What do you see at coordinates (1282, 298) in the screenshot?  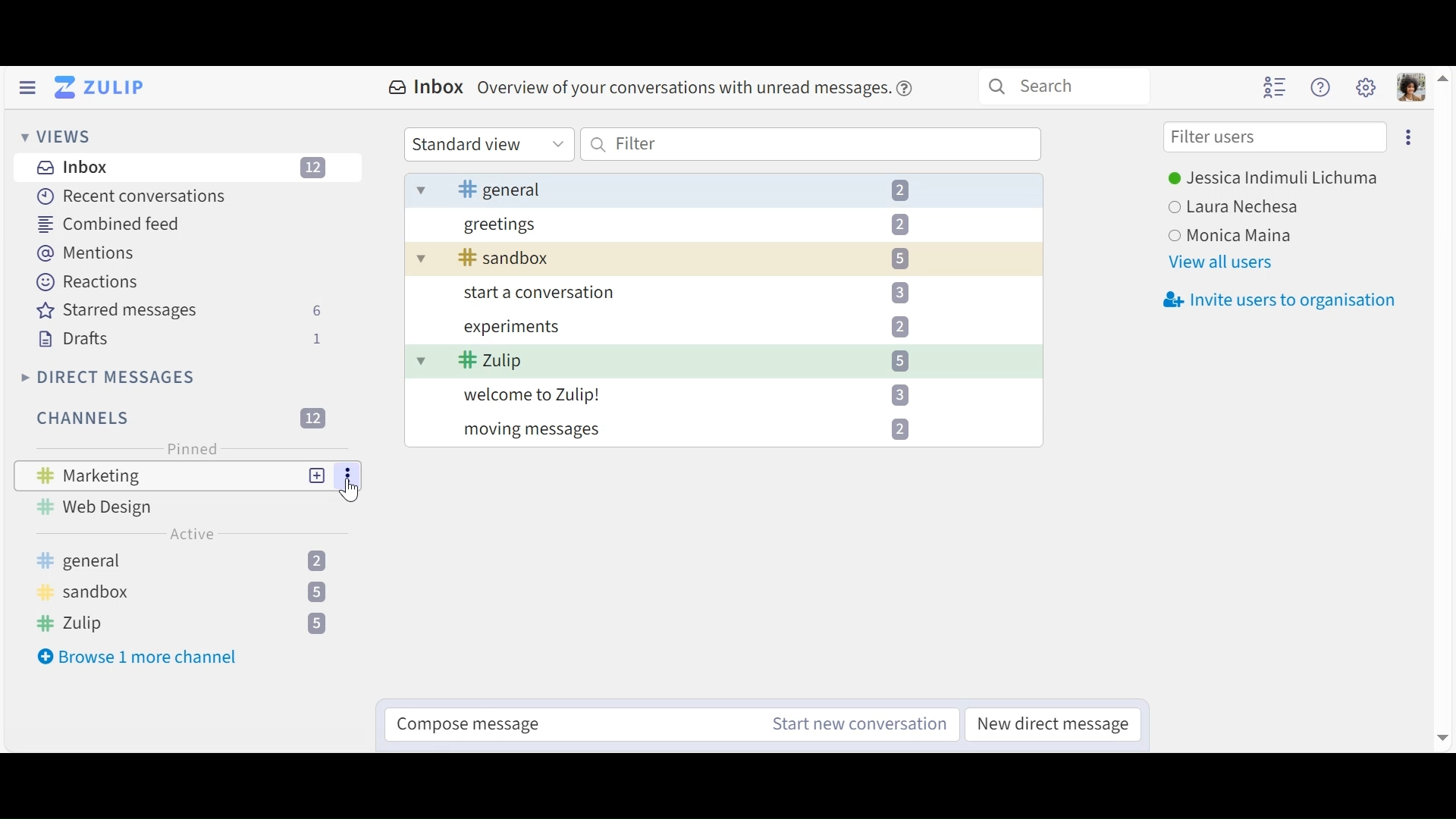 I see `Invite users to organisation` at bounding box center [1282, 298].